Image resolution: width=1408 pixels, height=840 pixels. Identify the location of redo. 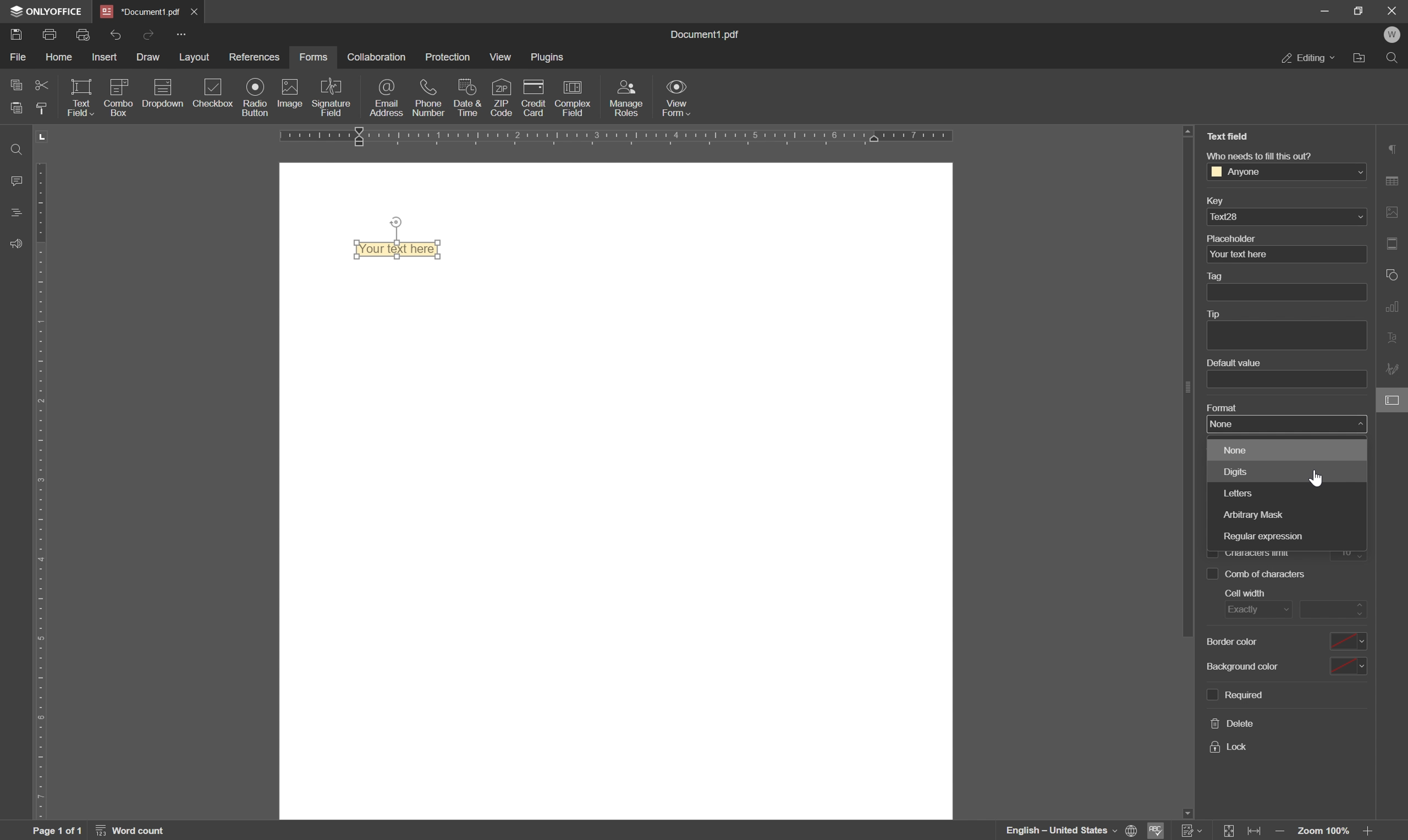
(151, 35).